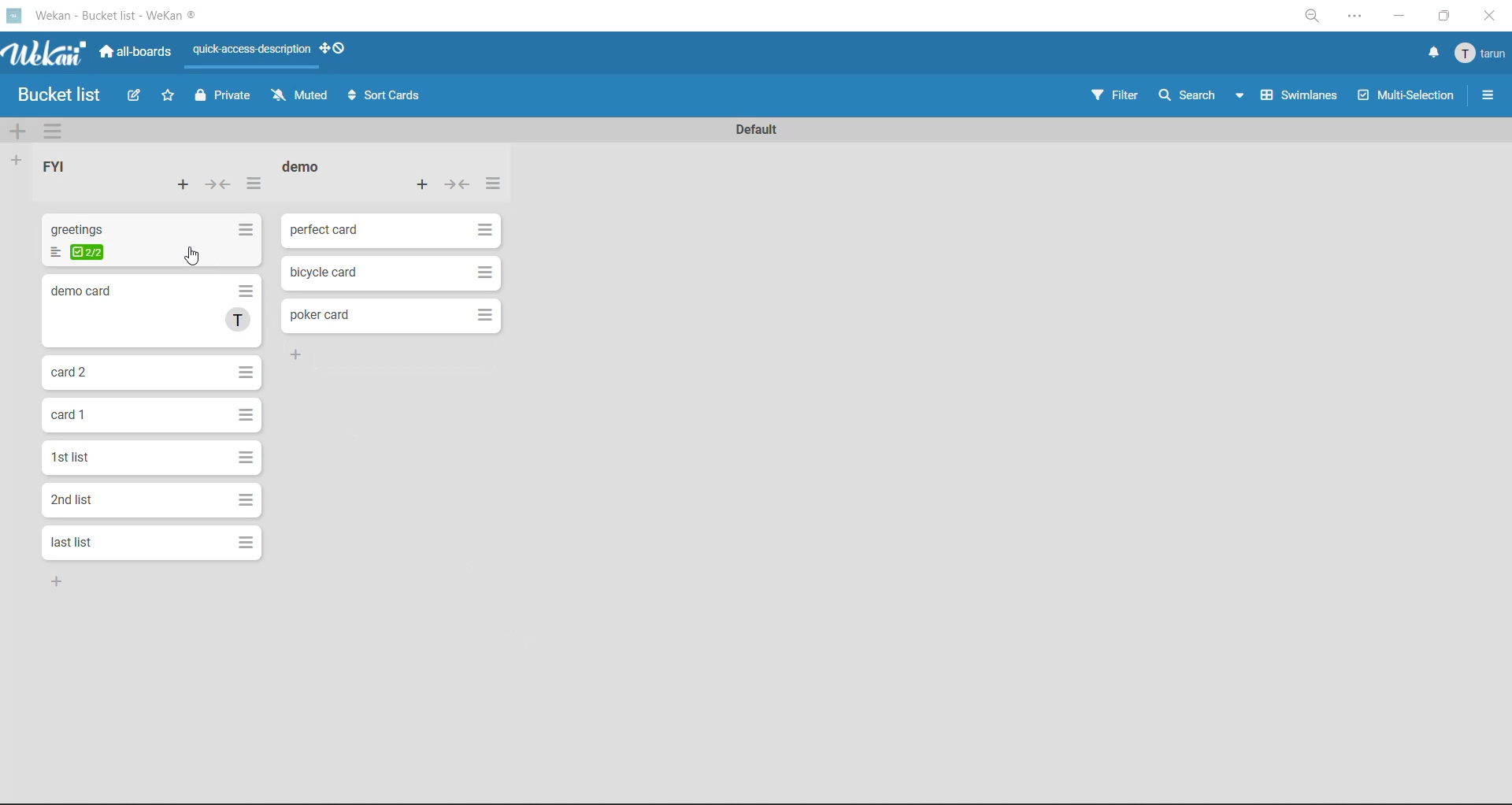  I want to click on list title, so click(61, 168).